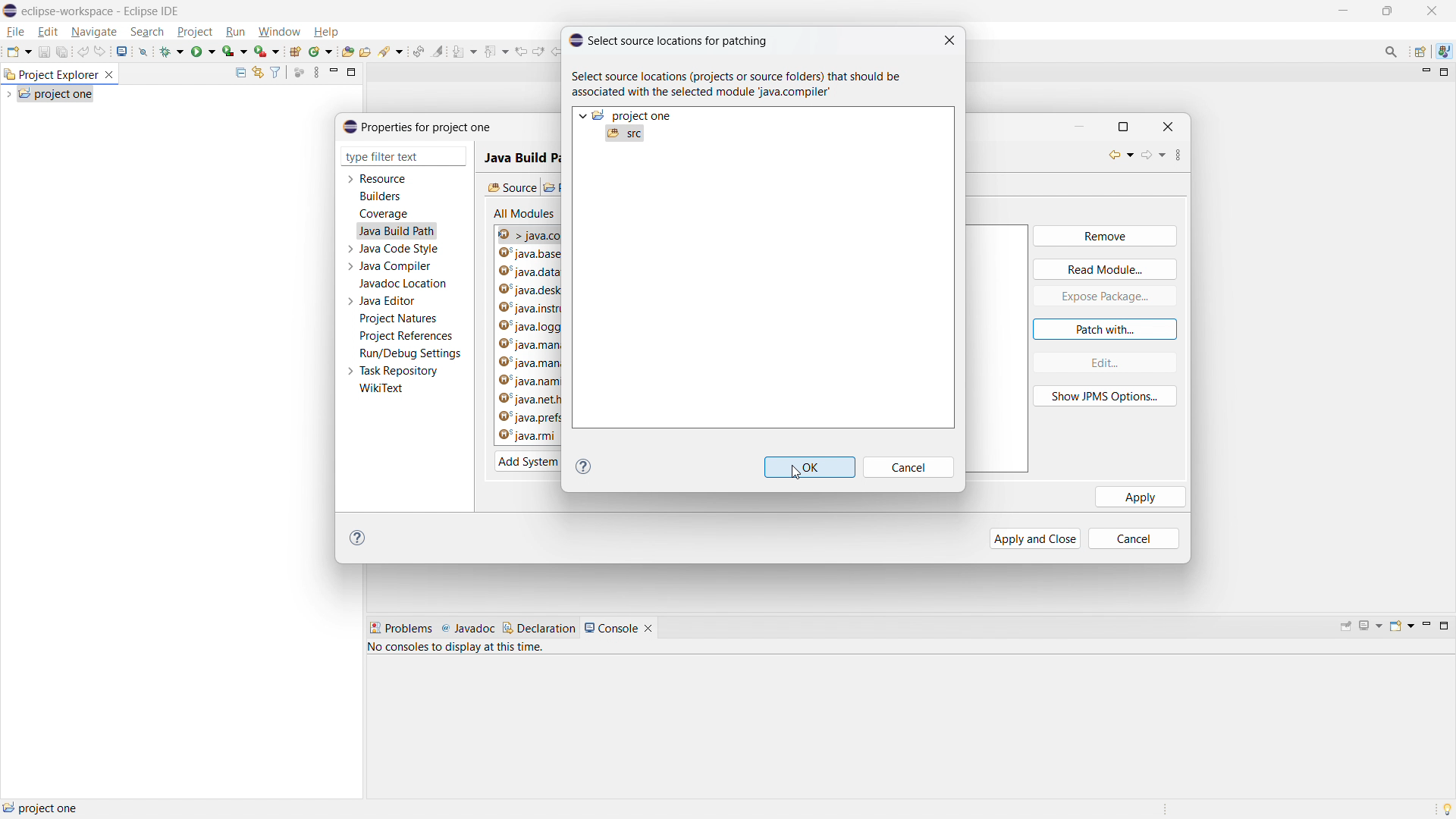  Describe the element at coordinates (1141, 497) in the screenshot. I see `apply` at that location.